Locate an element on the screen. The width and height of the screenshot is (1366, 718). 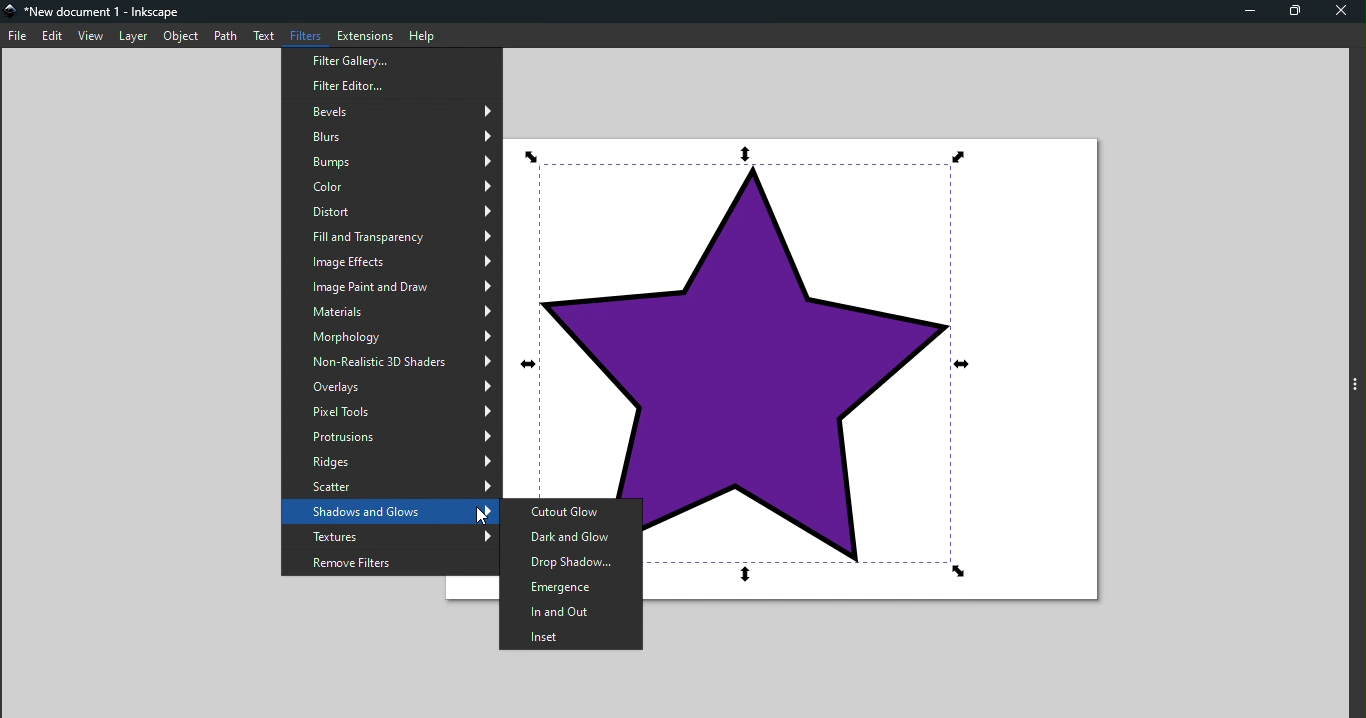
Ridges is located at coordinates (392, 462).